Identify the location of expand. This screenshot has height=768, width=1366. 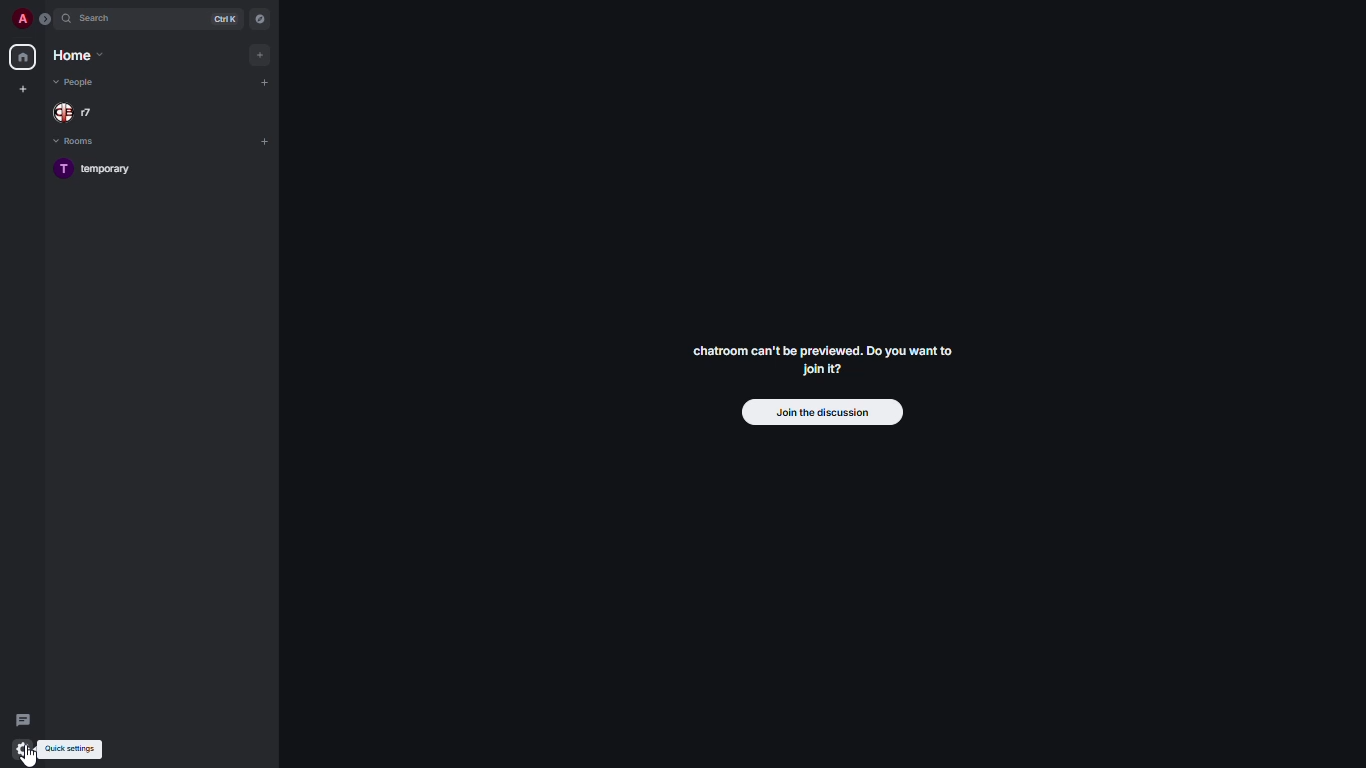
(45, 20).